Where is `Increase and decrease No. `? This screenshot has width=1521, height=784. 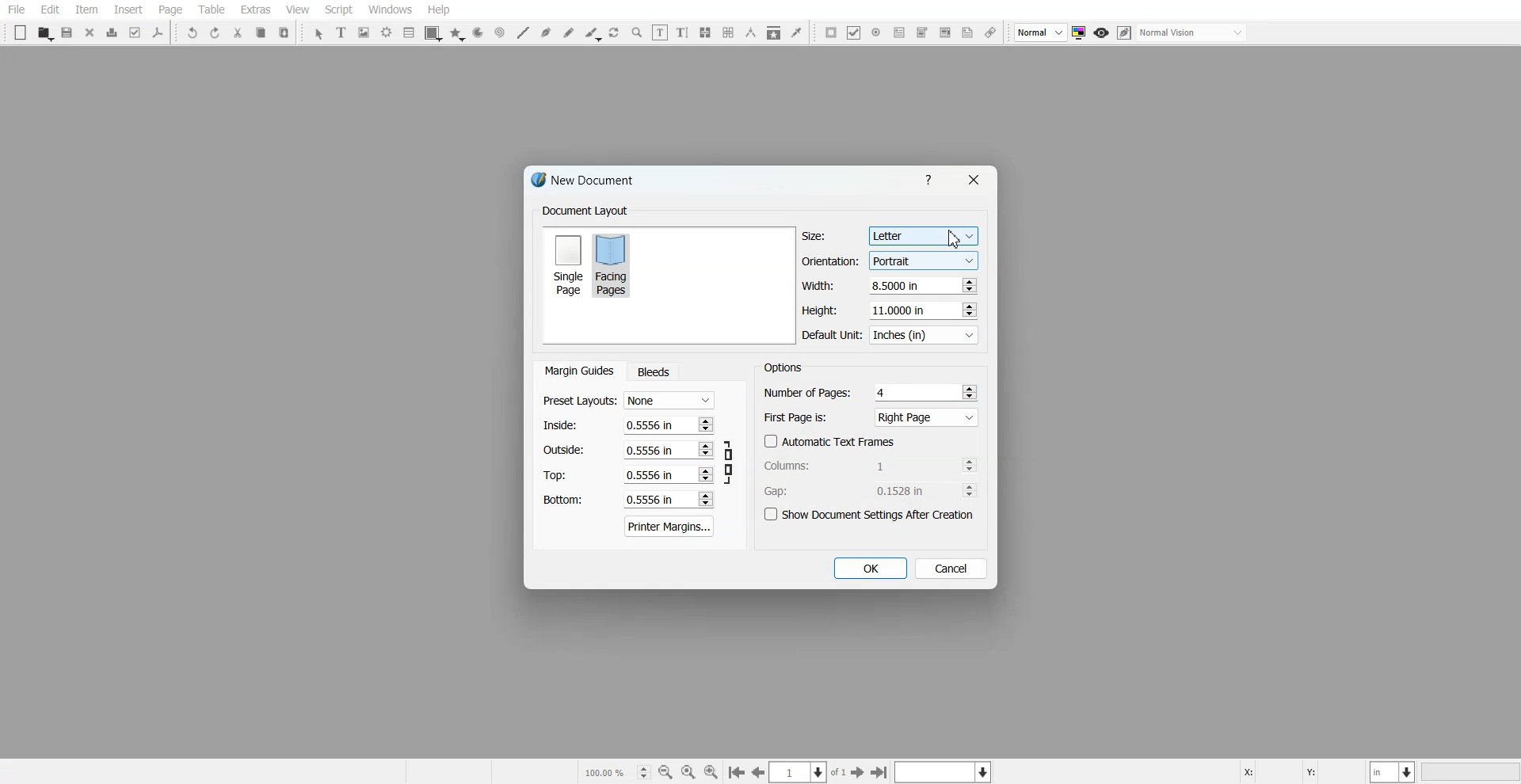
Increase and decrease No.  is located at coordinates (969, 465).